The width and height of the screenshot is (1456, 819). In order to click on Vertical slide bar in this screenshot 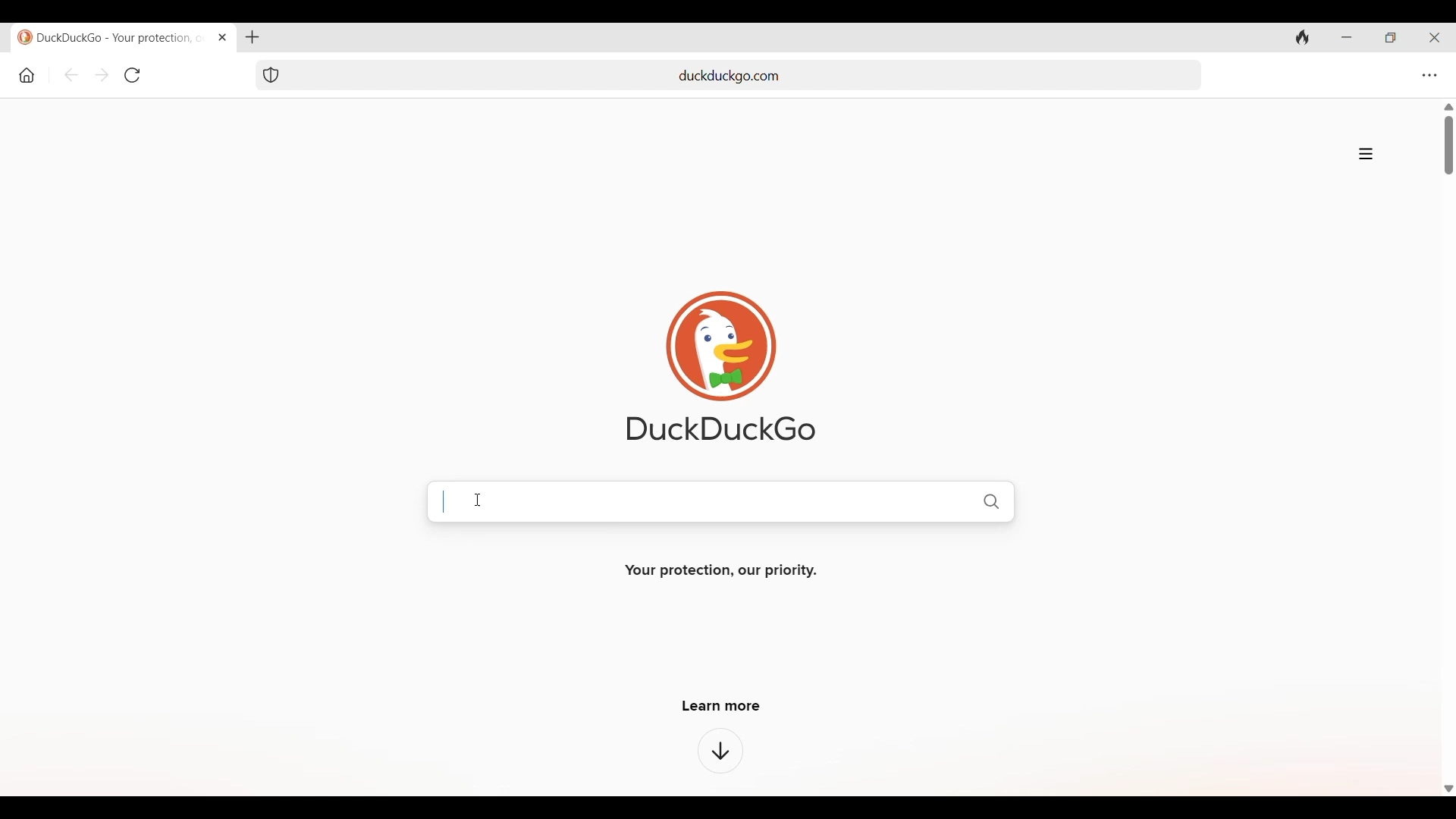, I will do `click(1450, 145)`.